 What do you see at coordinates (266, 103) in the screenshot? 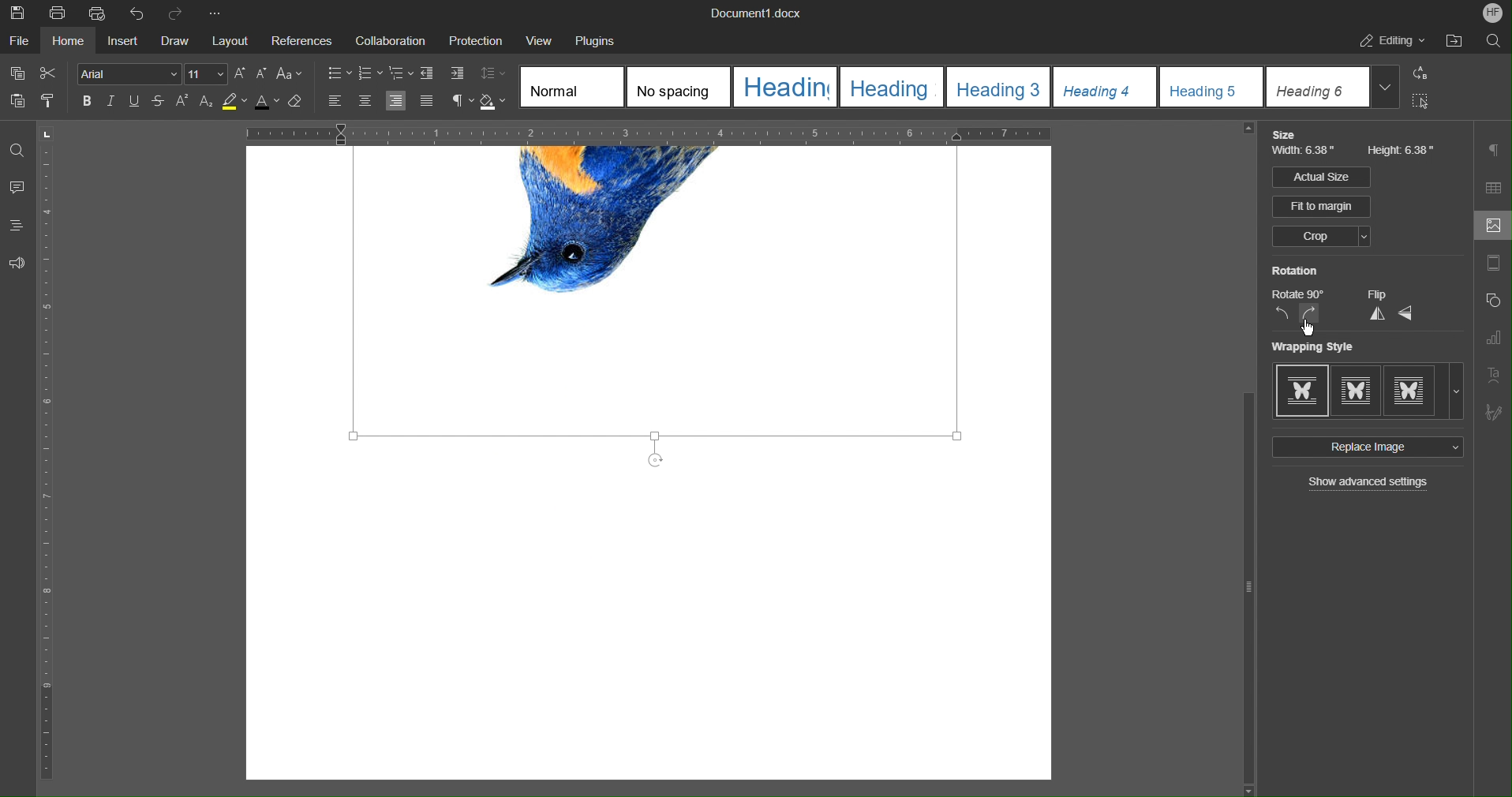
I see `Text Color` at bounding box center [266, 103].